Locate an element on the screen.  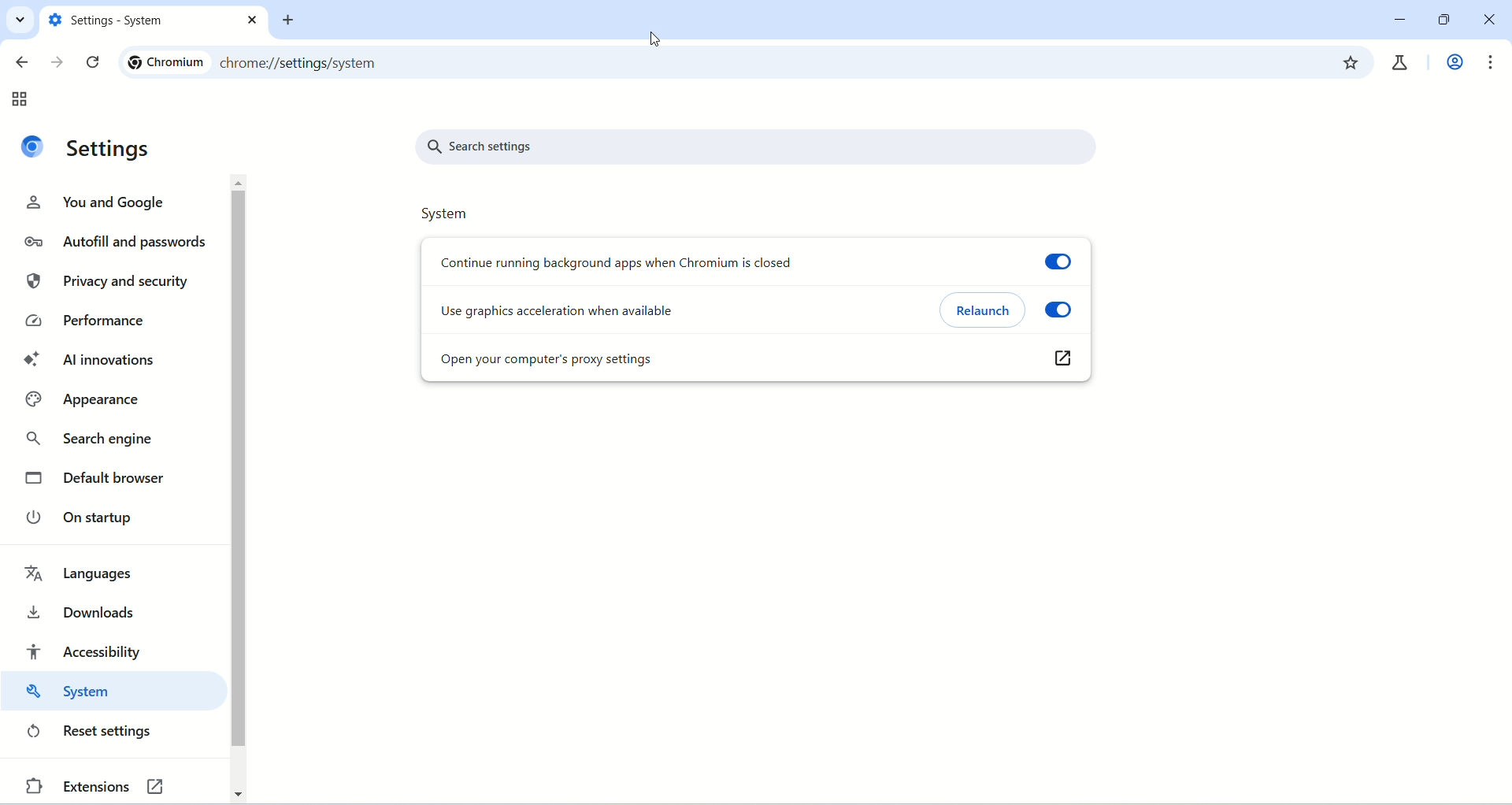
new tab is located at coordinates (292, 20).